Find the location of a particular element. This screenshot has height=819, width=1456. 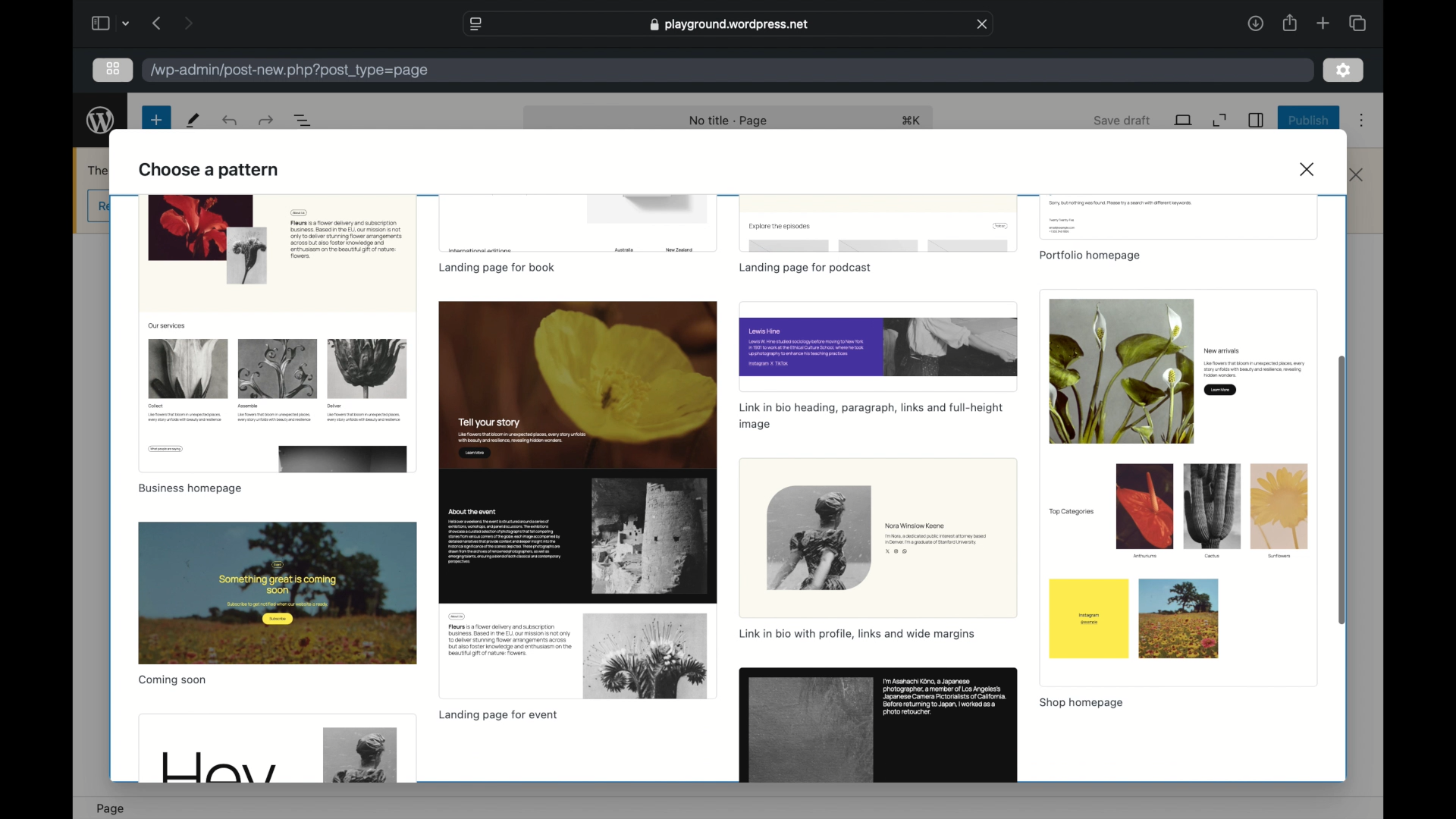

landing page for book is located at coordinates (497, 268).